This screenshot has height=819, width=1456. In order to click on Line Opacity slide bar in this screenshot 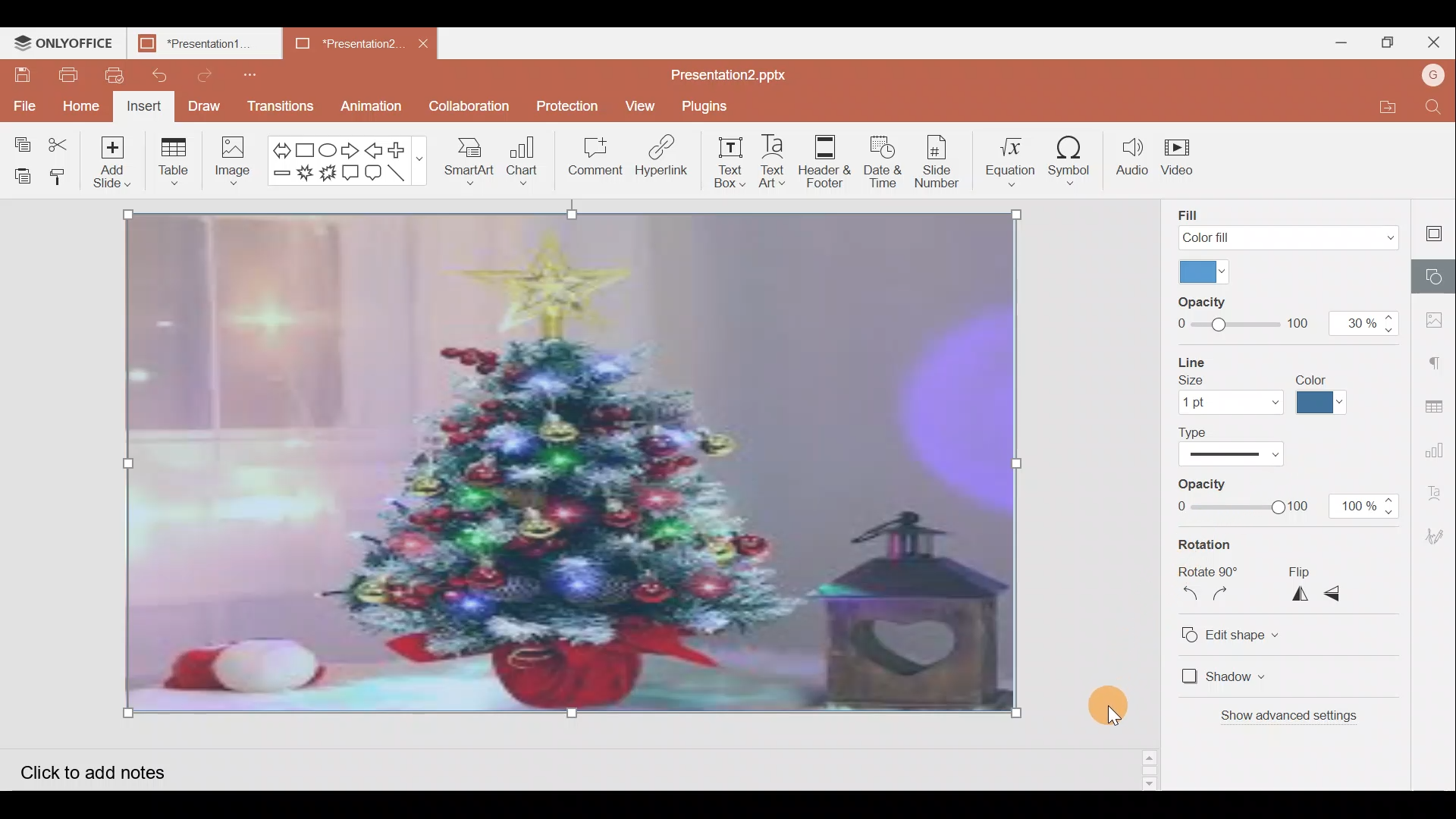, I will do `click(1241, 497)`.